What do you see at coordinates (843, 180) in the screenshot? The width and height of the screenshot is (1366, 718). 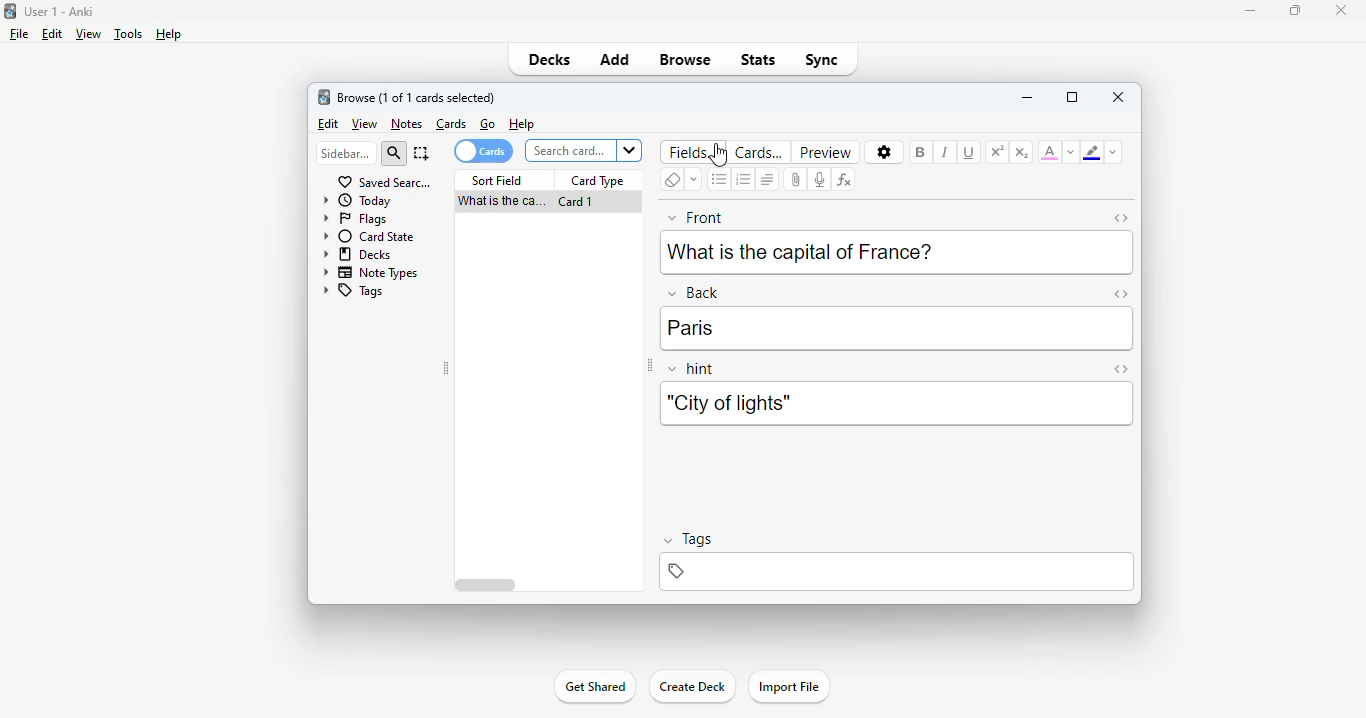 I see `equations` at bounding box center [843, 180].